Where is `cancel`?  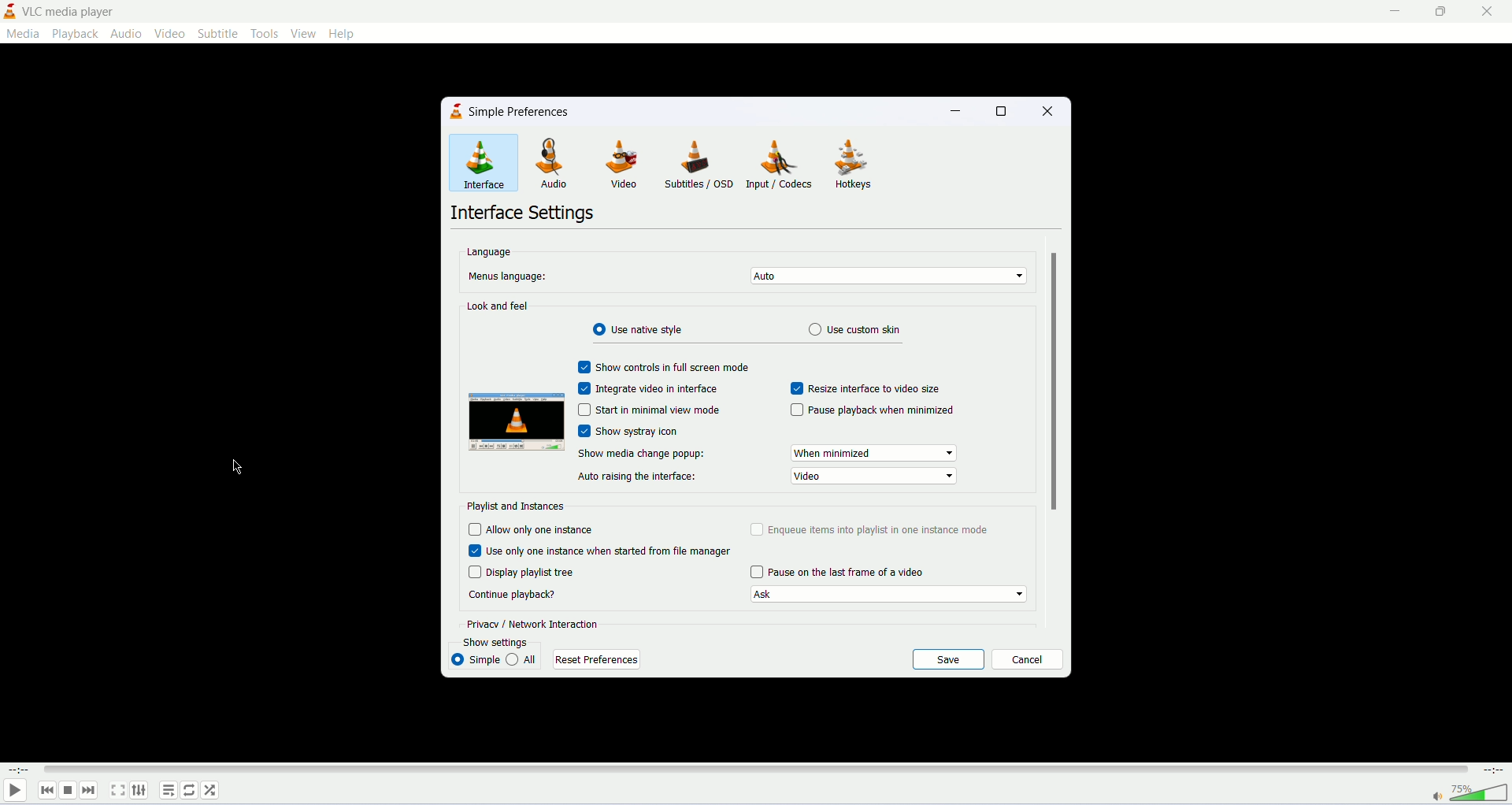
cancel is located at coordinates (1027, 659).